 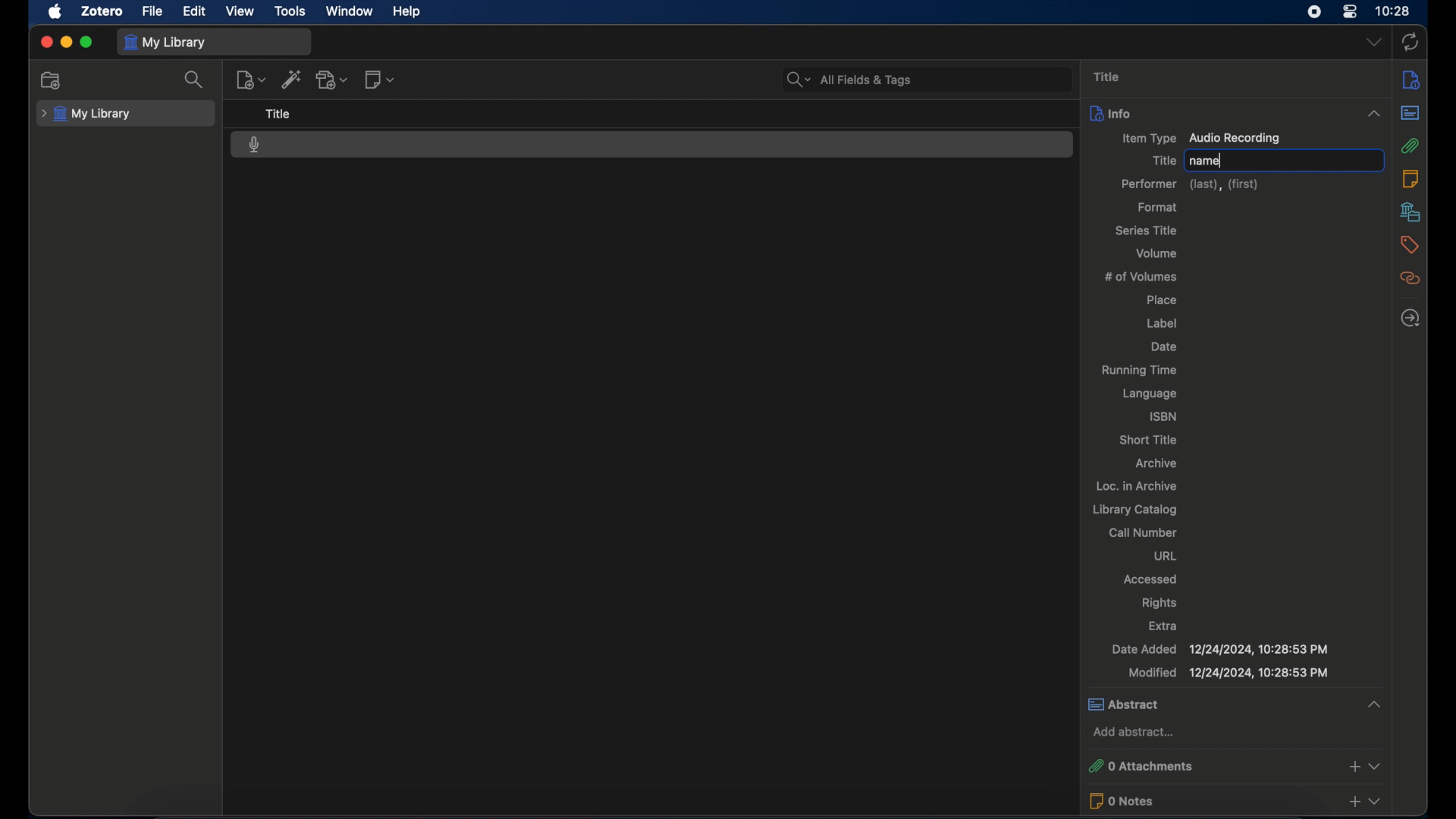 What do you see at coordinates (55, 12) in the screenshot?
I see `apple` at bounding box center [55, 12].